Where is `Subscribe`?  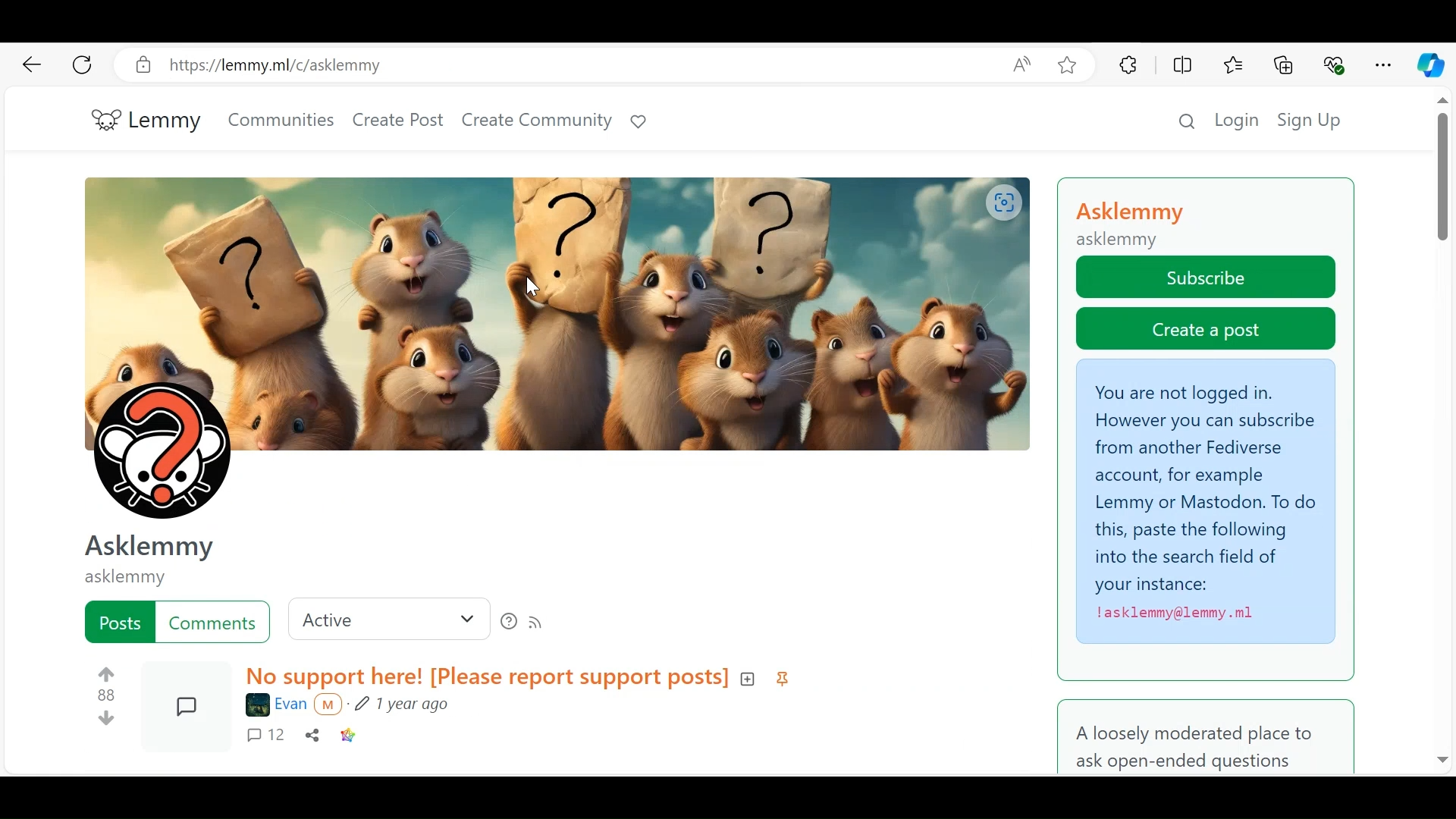 Subscribe is located at coordinates (1207, 276).